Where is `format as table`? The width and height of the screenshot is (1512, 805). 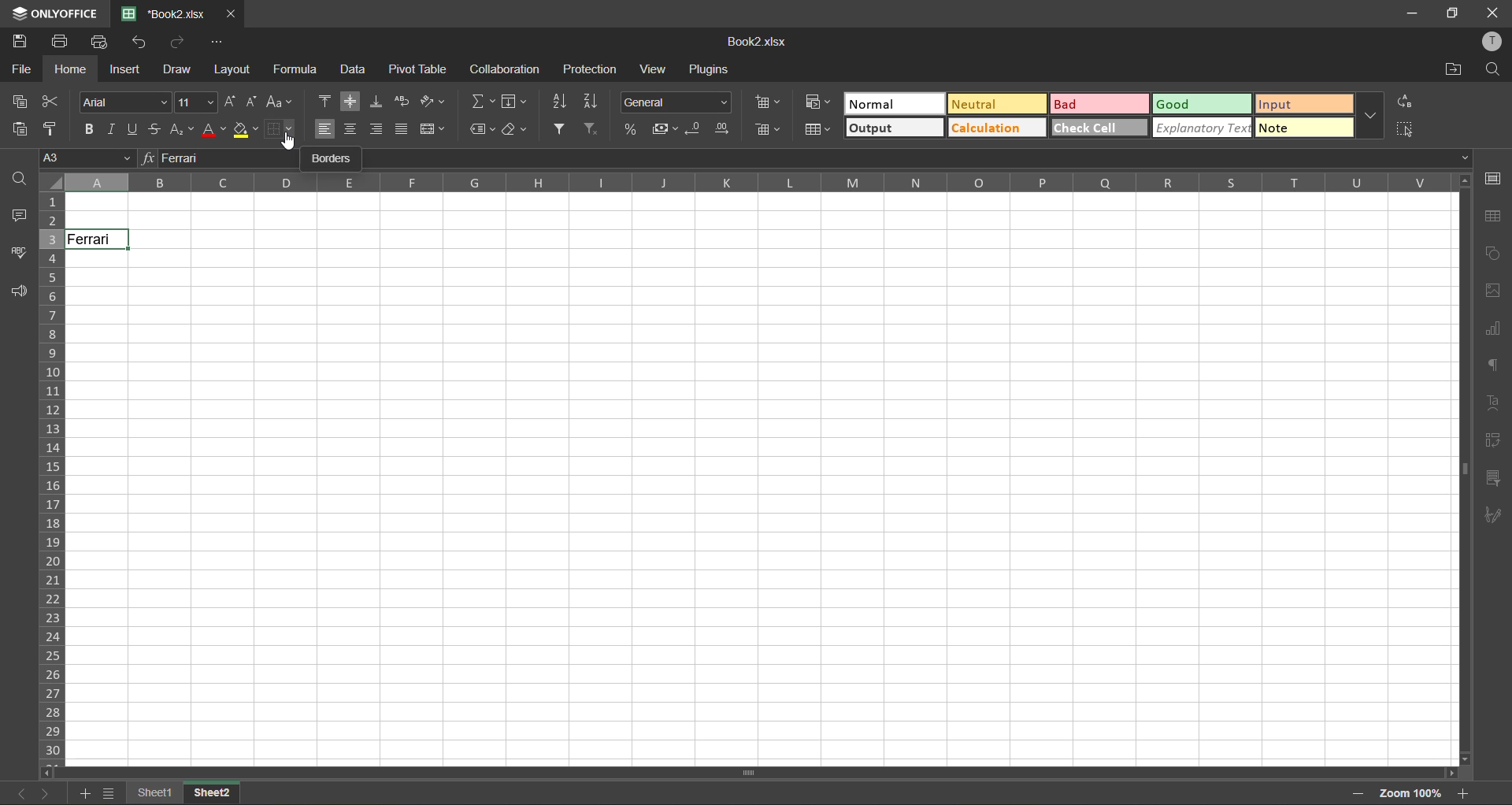
format as table is located at coordinates (819, 131).